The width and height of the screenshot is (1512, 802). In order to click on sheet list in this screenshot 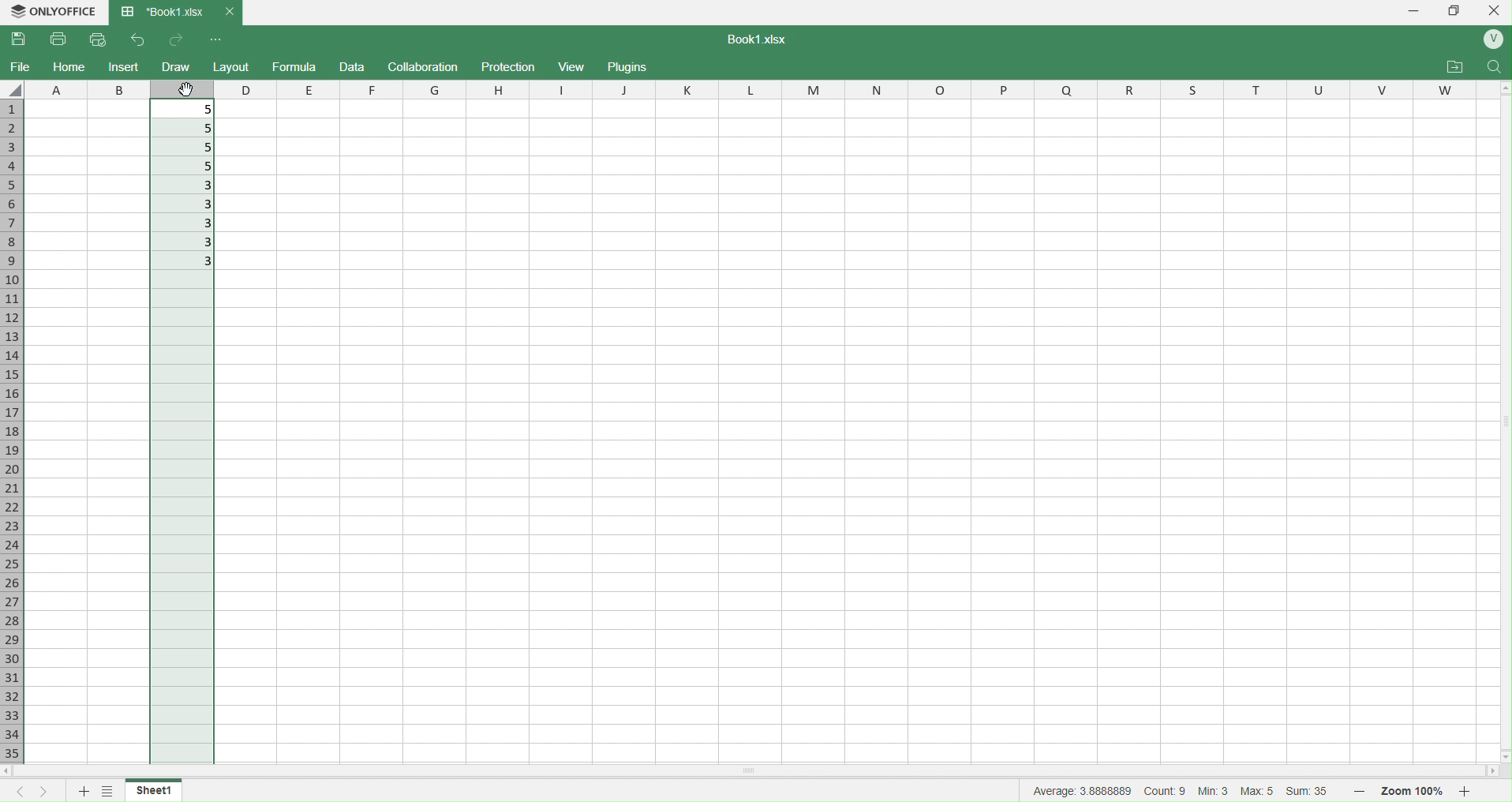, I will do `click(110, 789)`.